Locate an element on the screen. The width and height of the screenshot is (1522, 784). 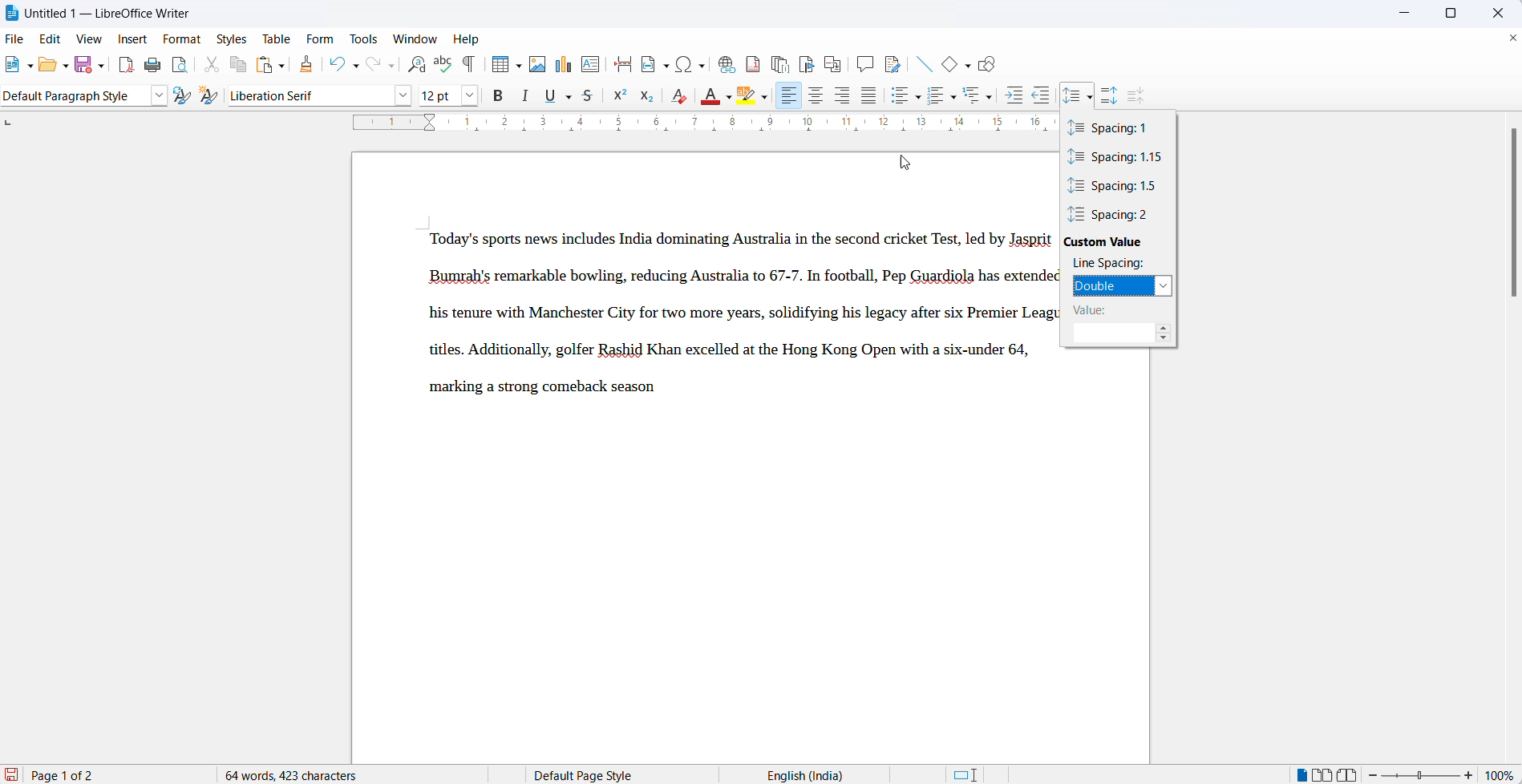
format is located at coordinates (184, 37).